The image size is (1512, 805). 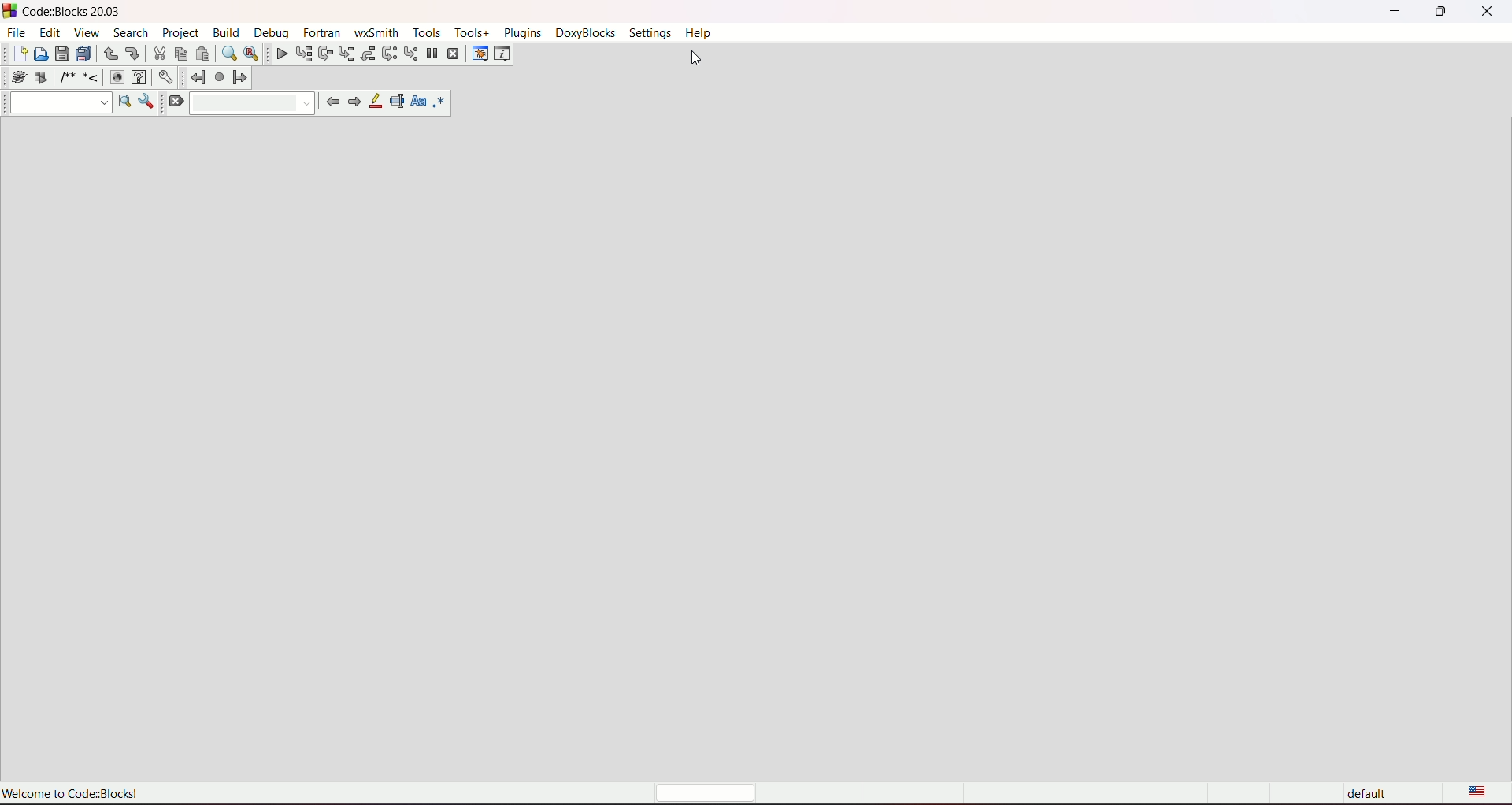 What do you see at coordinates (521, 33) in the screenshot?
I see `plugins` at bounding box center [521, 33].